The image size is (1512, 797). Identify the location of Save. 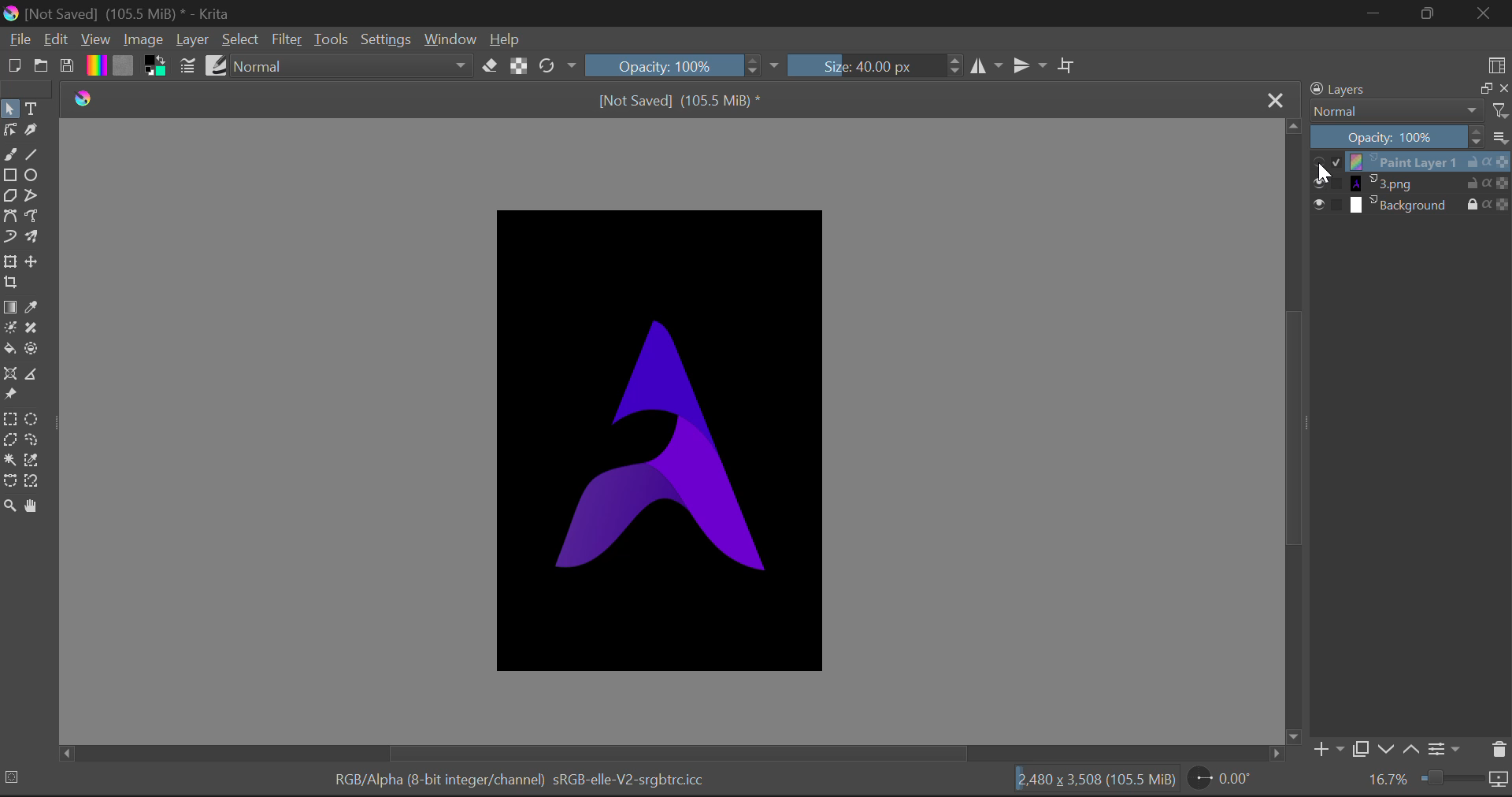
(68, 68).